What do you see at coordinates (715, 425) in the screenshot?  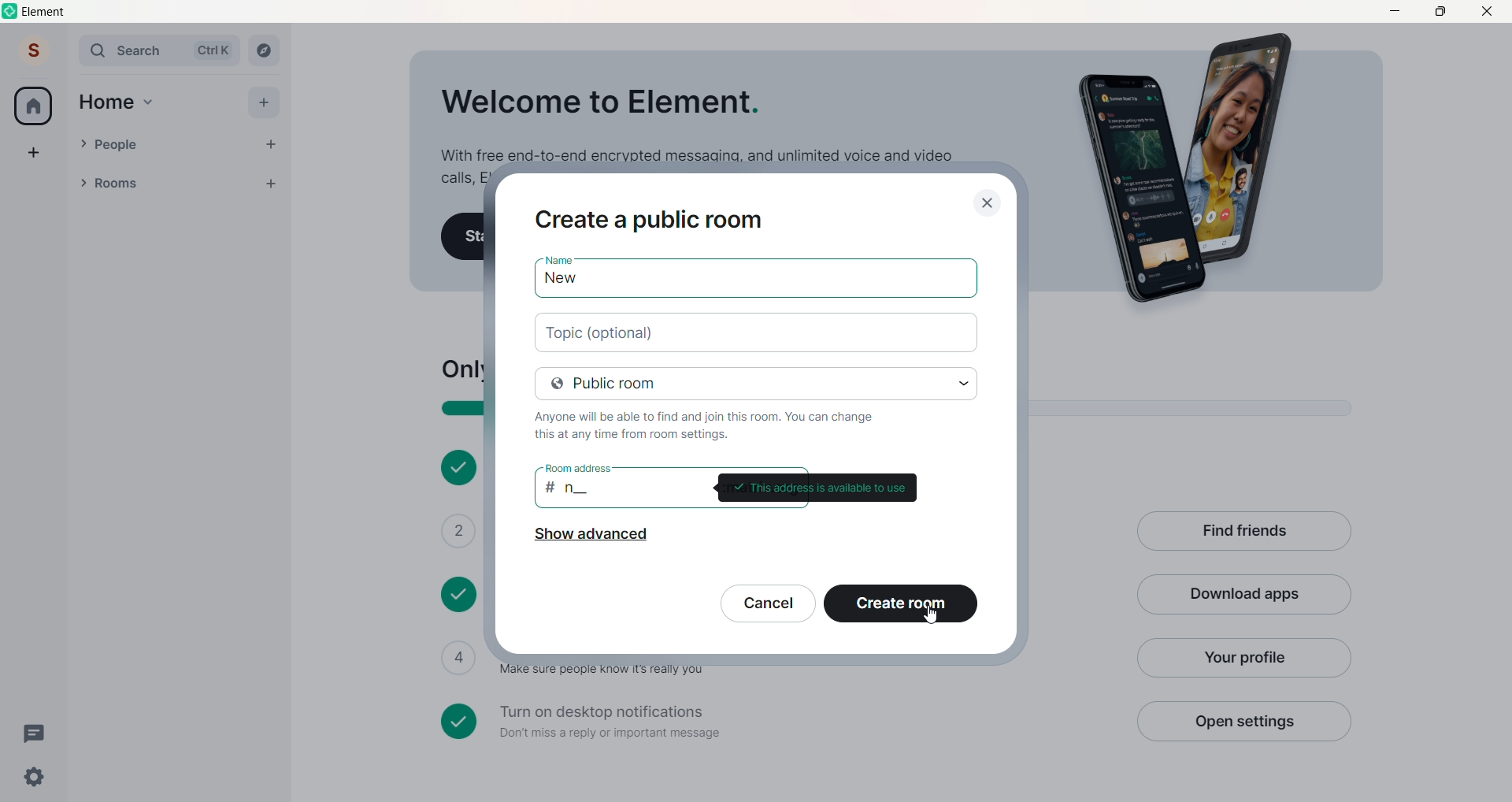 I see `Only people invited will be able to find and join this room. You can
change this at any time from room settings.` at bounding box center [715, 425].